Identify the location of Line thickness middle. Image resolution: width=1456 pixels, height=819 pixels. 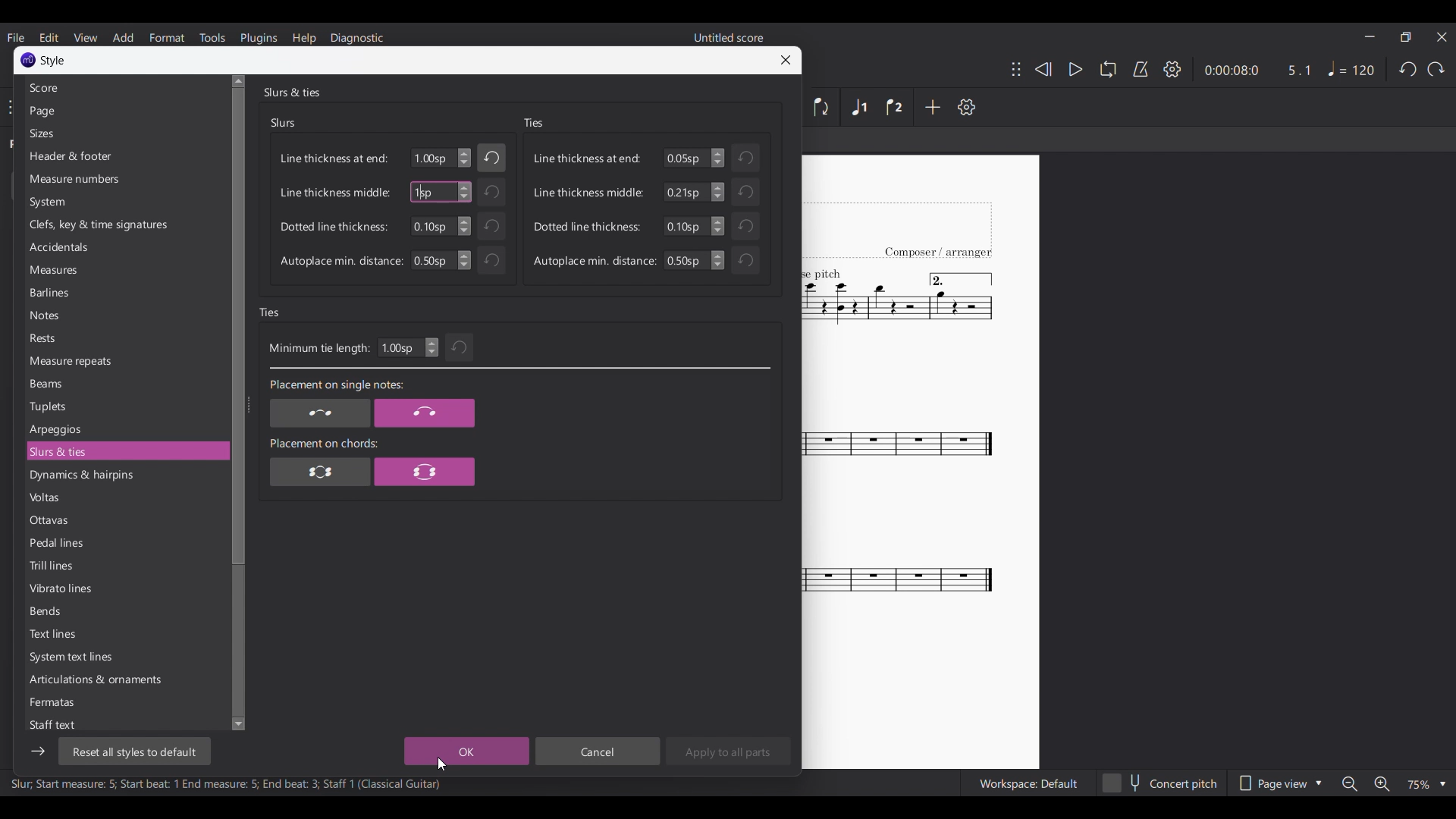
(335, 192).